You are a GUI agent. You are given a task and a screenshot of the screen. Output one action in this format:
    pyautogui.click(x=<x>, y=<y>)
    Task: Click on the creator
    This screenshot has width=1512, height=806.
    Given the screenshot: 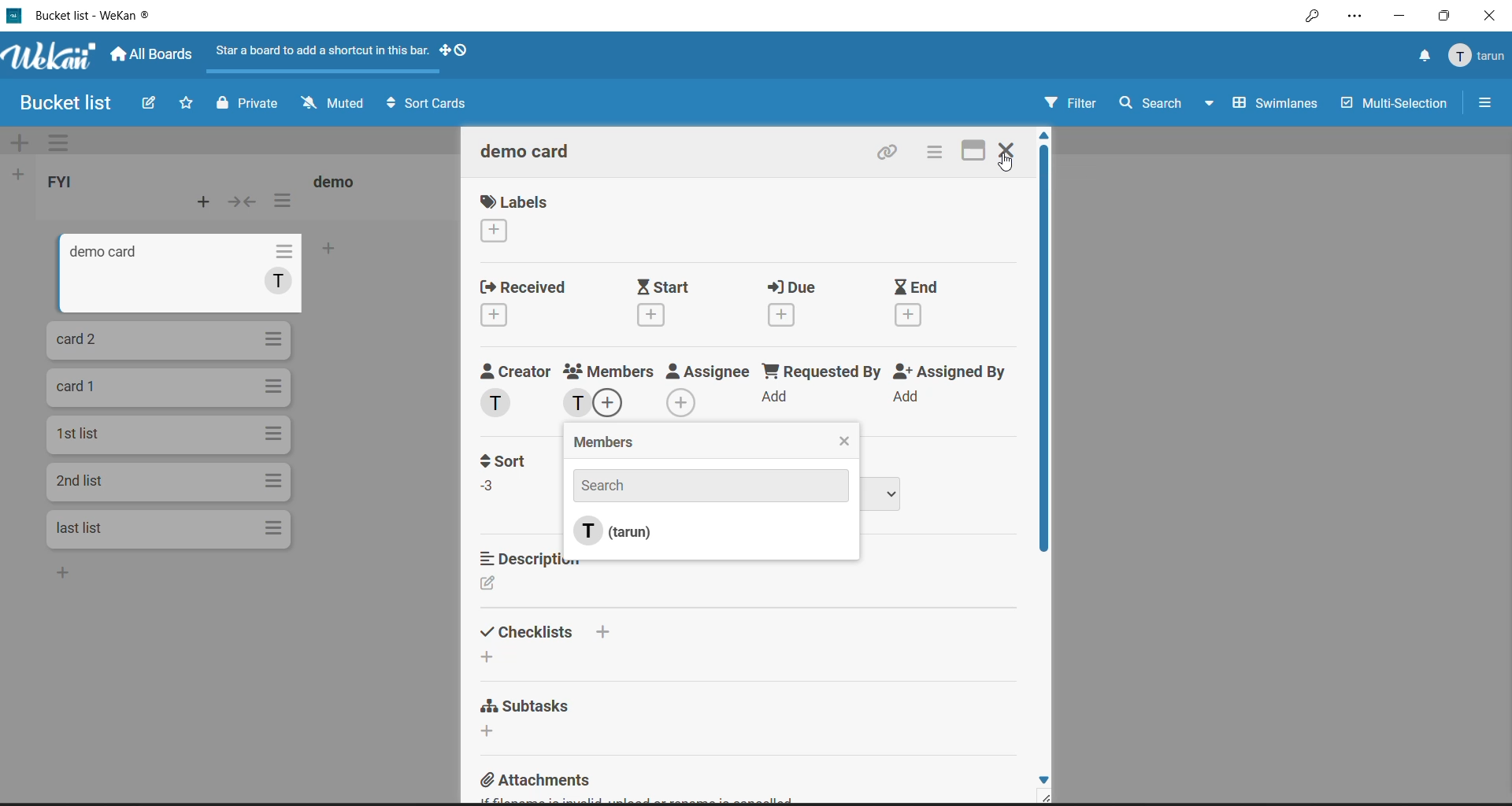 What is the action you would take?
    pyautogui.click(x=514, y=371)
    